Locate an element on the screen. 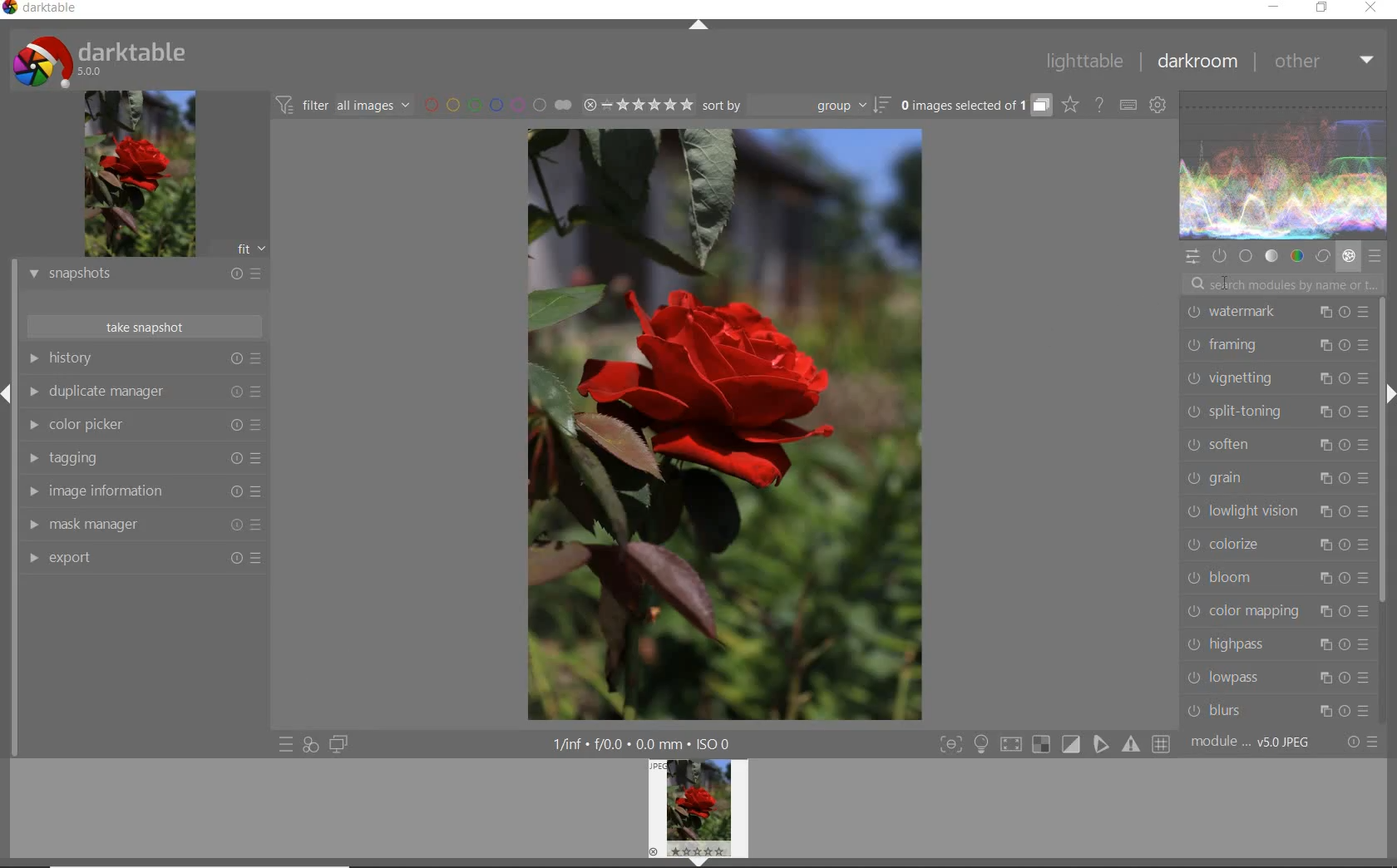 The image size is (1397, 868). image preview is located at coordinates (139, 175).